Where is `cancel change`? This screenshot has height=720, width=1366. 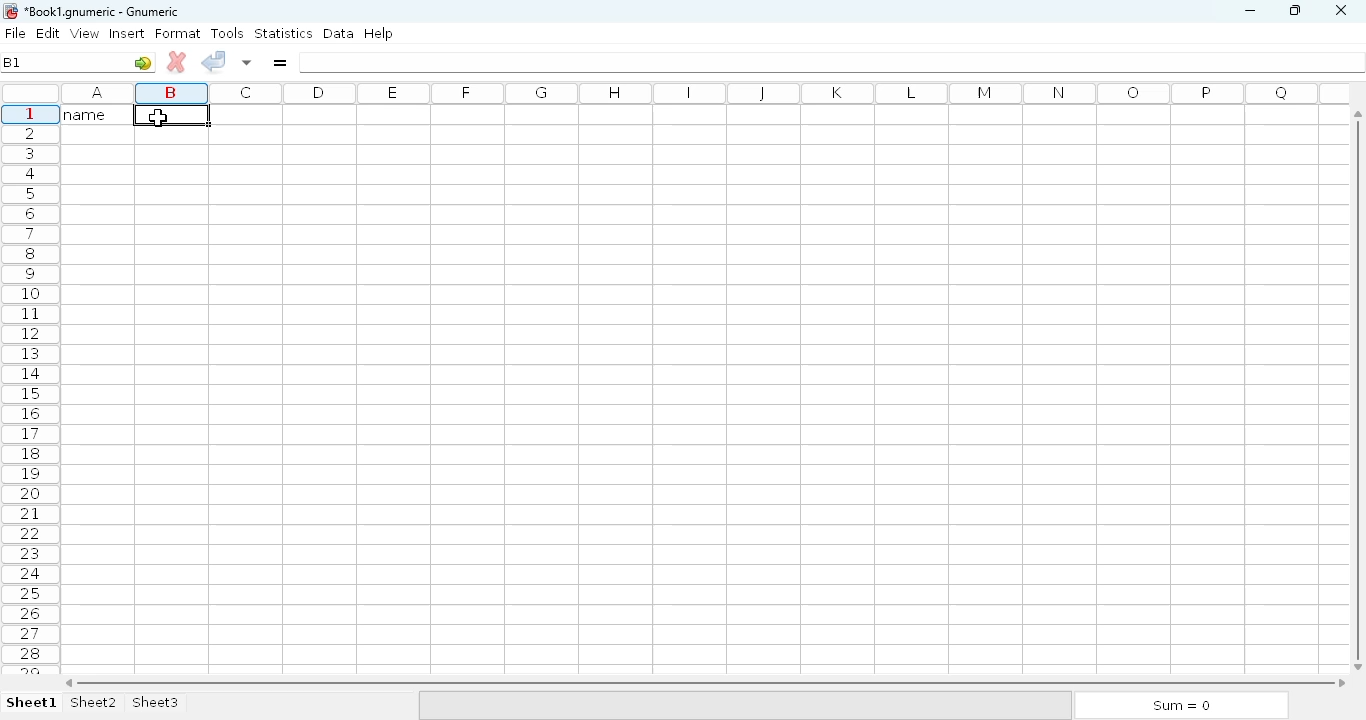
cancel change is located at coordinates (177, 62).